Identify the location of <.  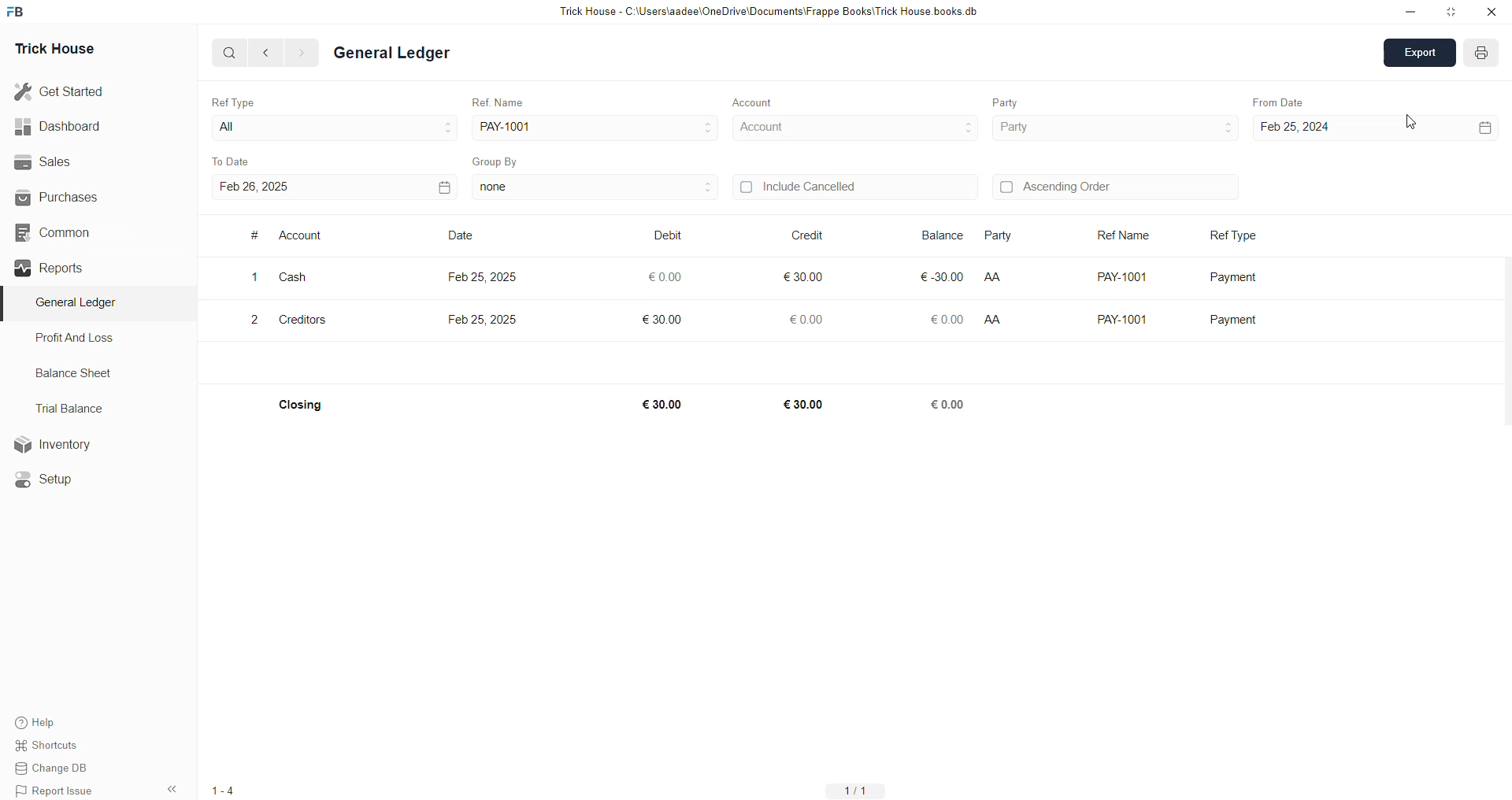
(262, 52).